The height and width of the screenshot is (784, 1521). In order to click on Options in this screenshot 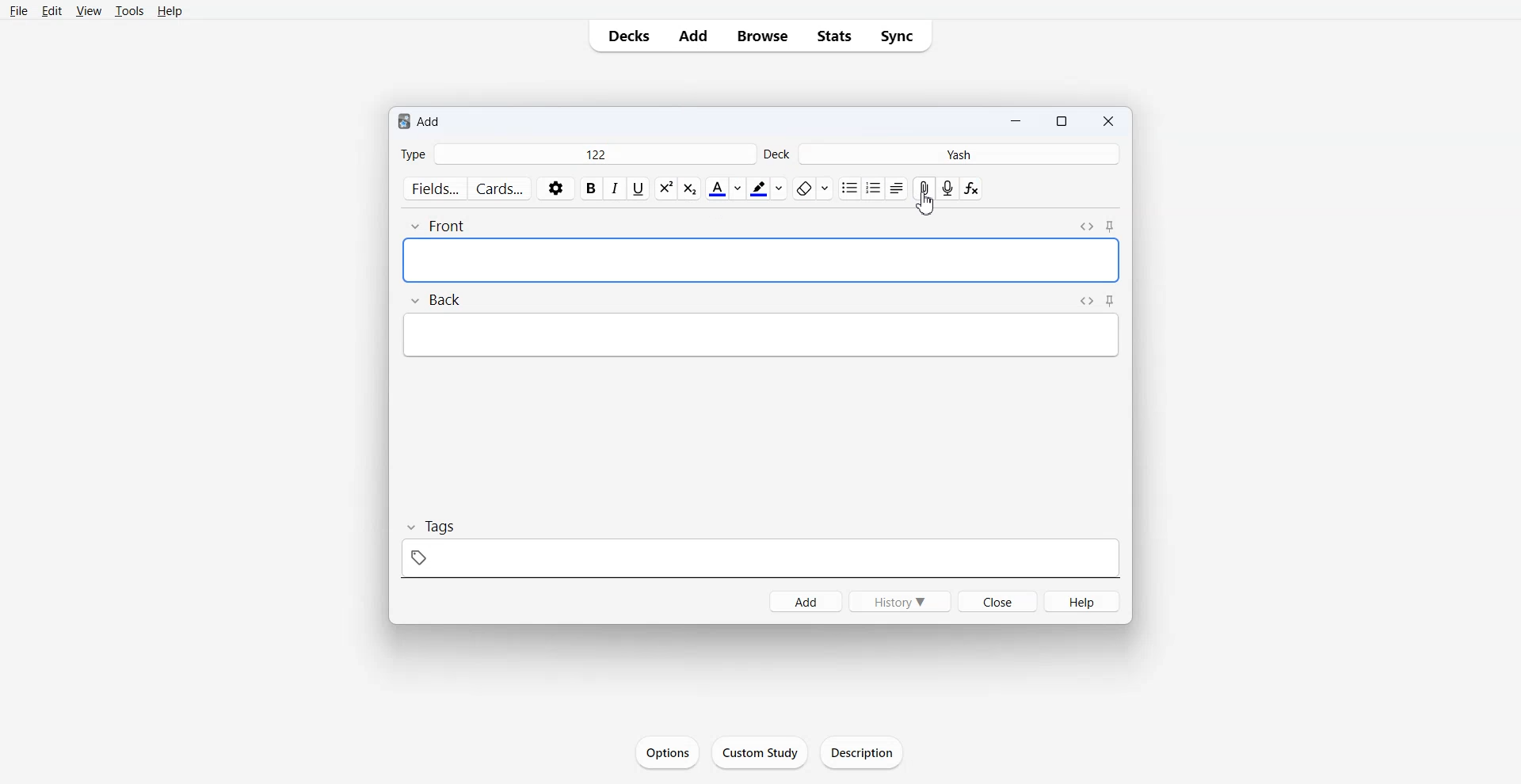, I will do `click(667, 751)`.